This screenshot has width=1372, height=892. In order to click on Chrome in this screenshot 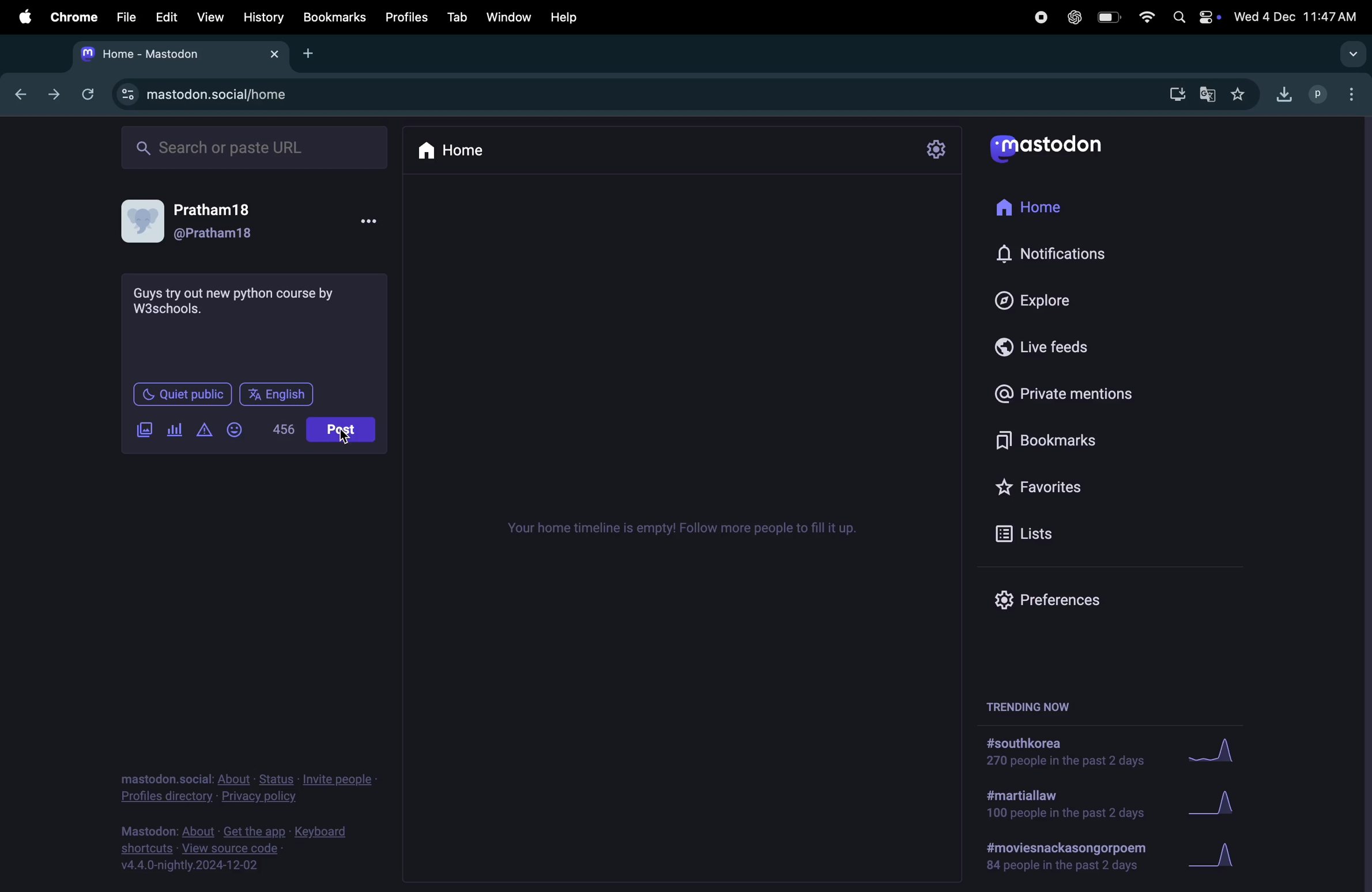, I will do `click(72, 17)`.